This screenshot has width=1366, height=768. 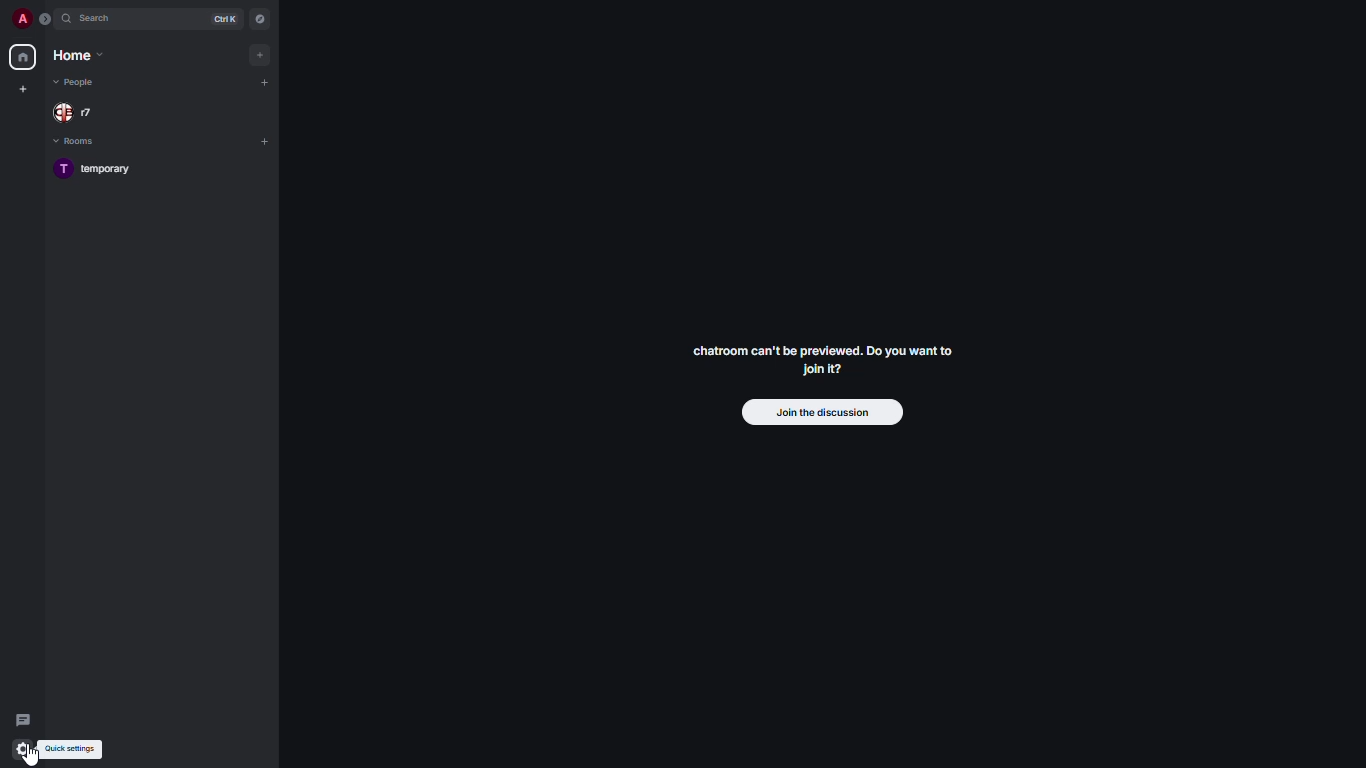 What do you see at coordinates (75, 748) in the screenshot?
I see `quick settings` at bounding box center [75, 748].